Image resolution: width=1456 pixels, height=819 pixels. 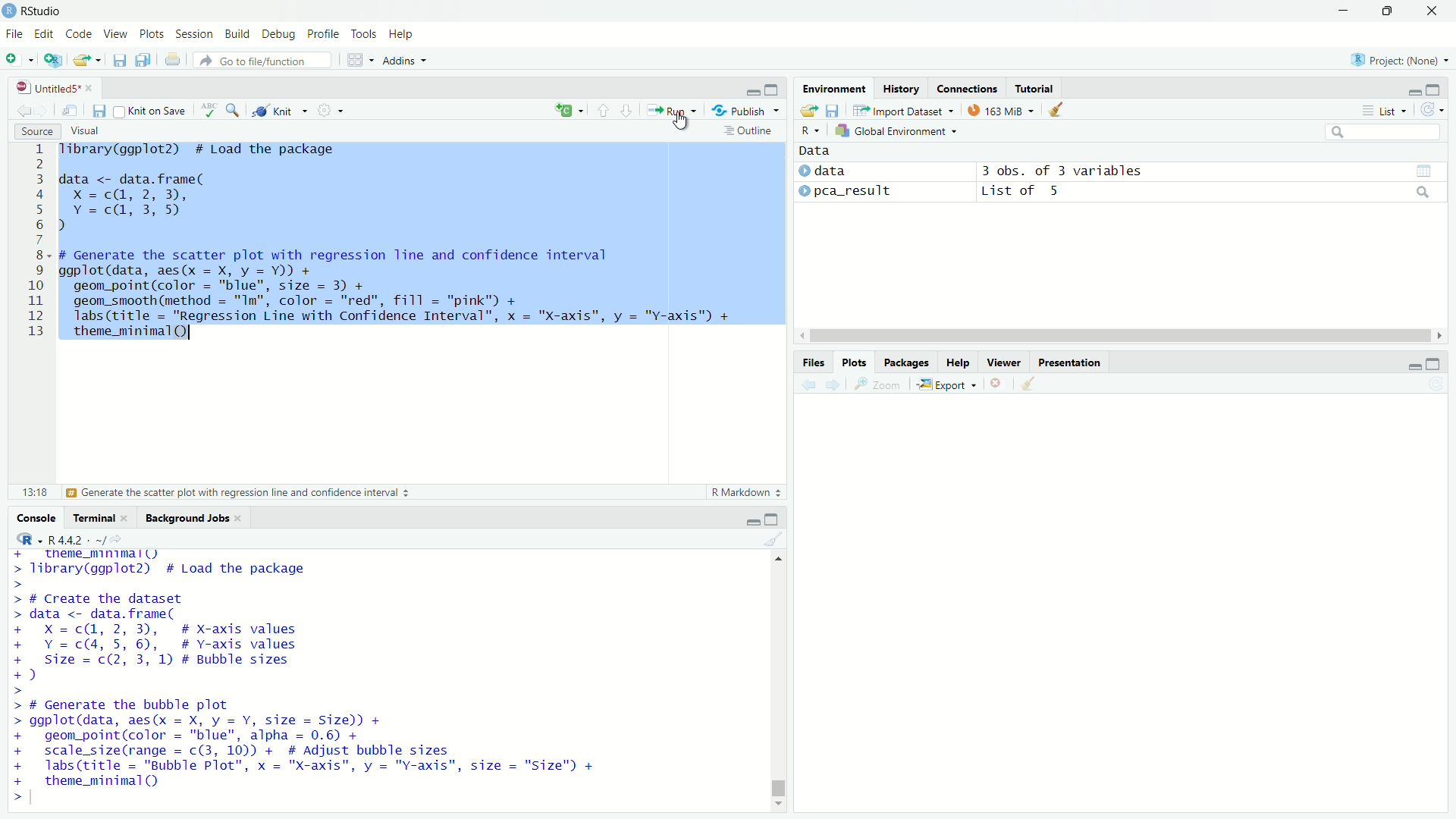 What do you see at coordinates (1004, 362) in the screenshot?
I see `Viewer` at bounding box center [1004, 362].